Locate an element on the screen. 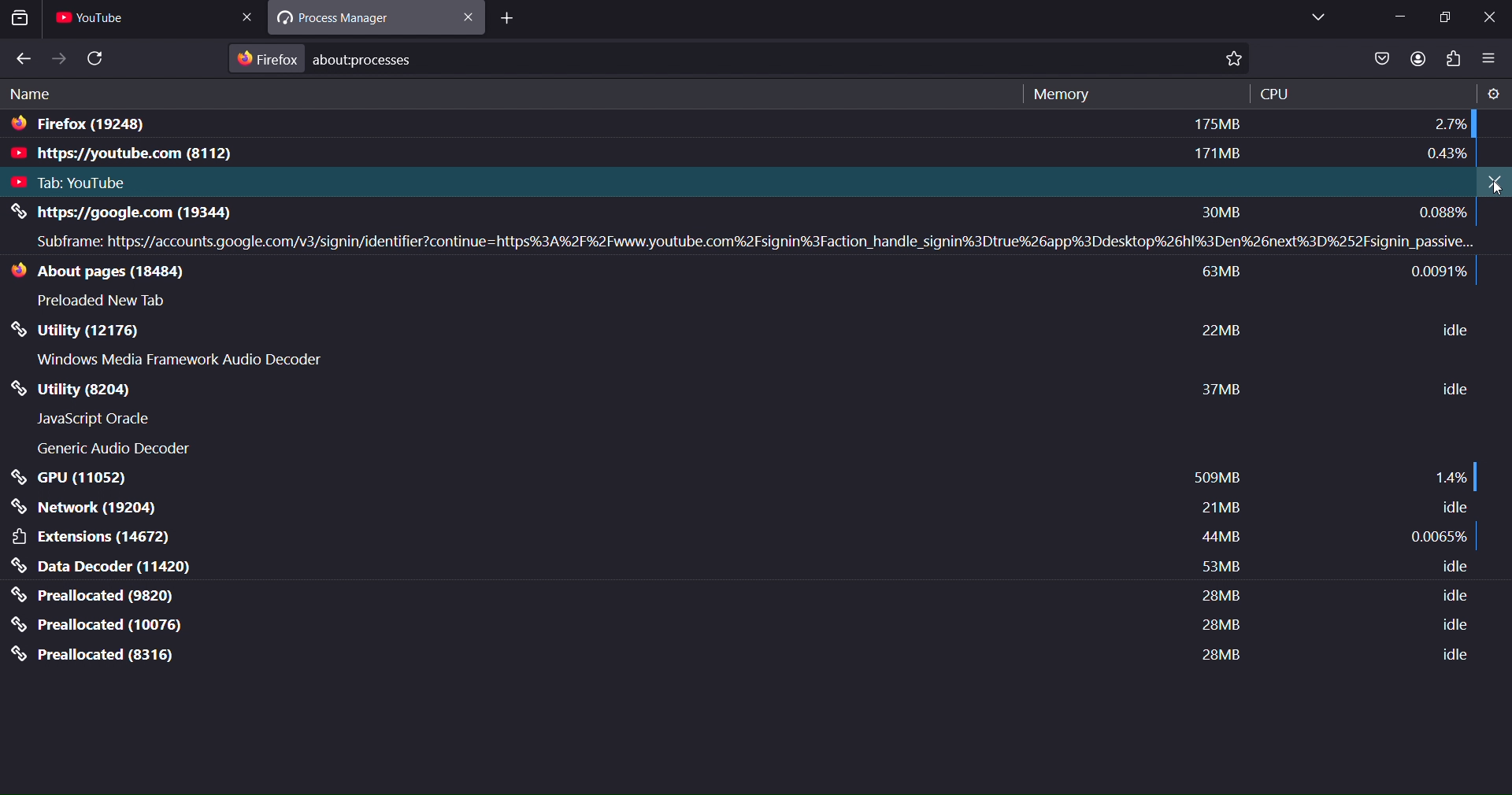 The width and height of the screenshot is (1512, 795). 28 mb is located at coordinates (1217, 597).